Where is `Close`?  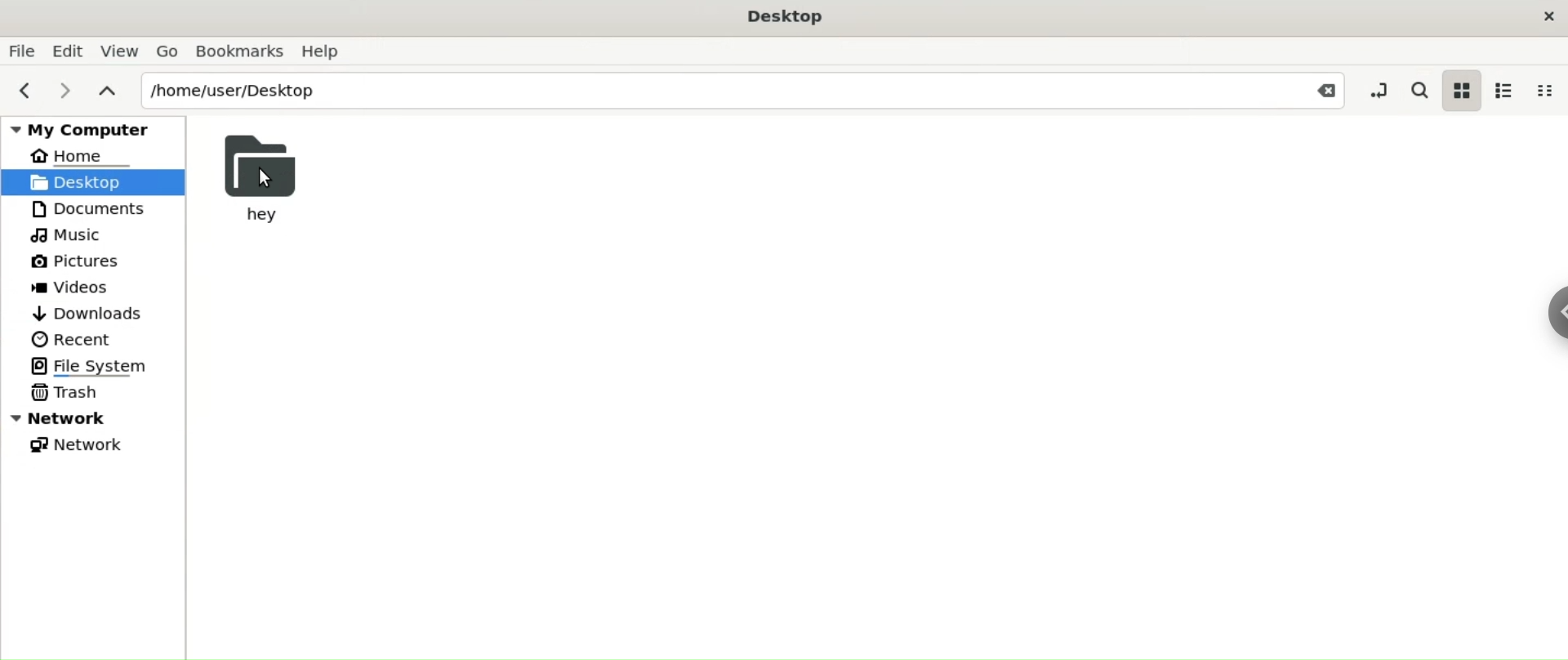
Close is located at coordinates (1325, 91).